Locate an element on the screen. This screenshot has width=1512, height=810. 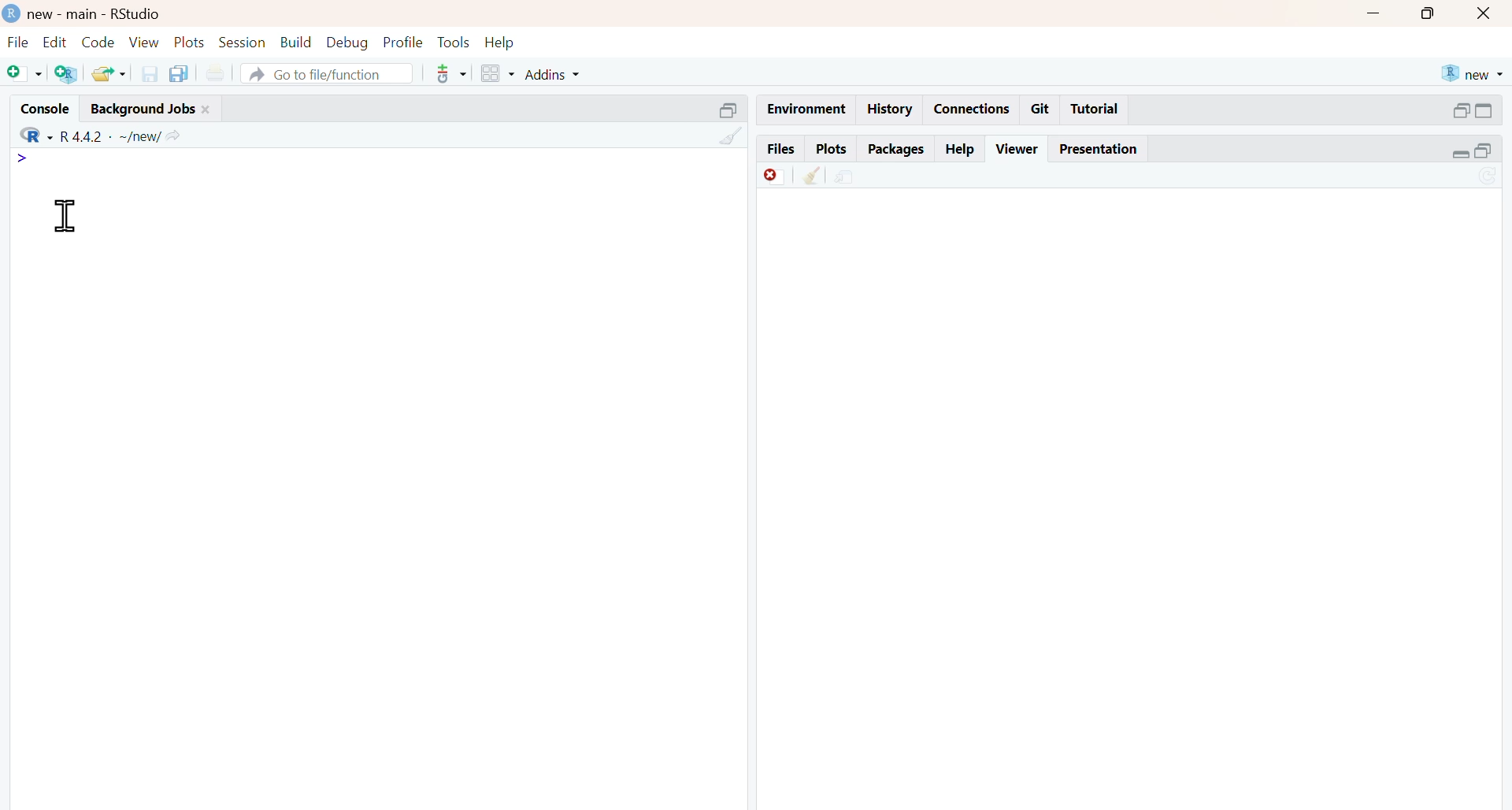
help is located at coordinates (961, 149).